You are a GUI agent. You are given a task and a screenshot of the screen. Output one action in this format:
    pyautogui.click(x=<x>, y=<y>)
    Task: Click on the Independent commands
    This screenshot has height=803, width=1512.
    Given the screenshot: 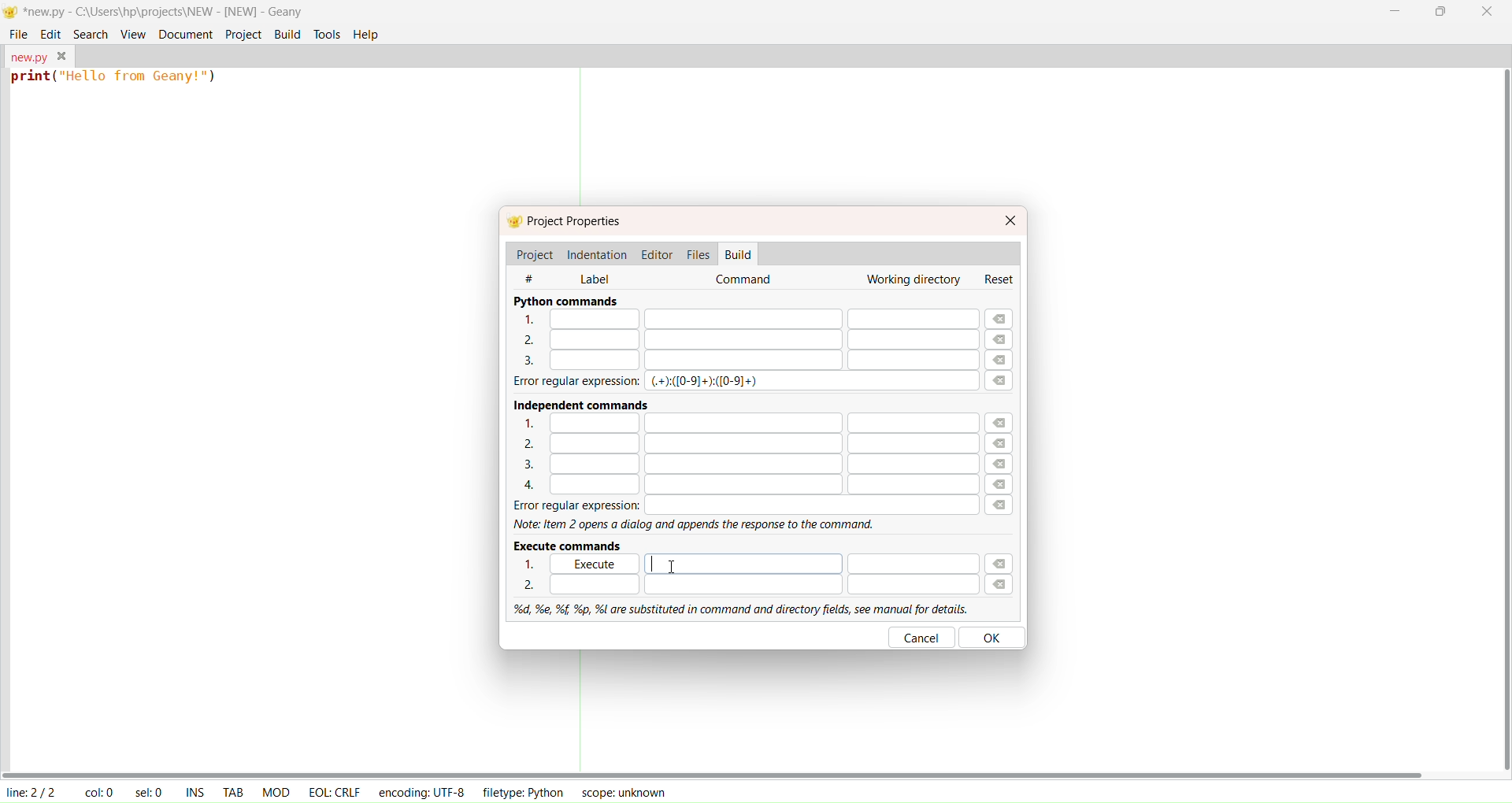 What is the action you would take?
    pyautogui.click(x=574, y=402)
    